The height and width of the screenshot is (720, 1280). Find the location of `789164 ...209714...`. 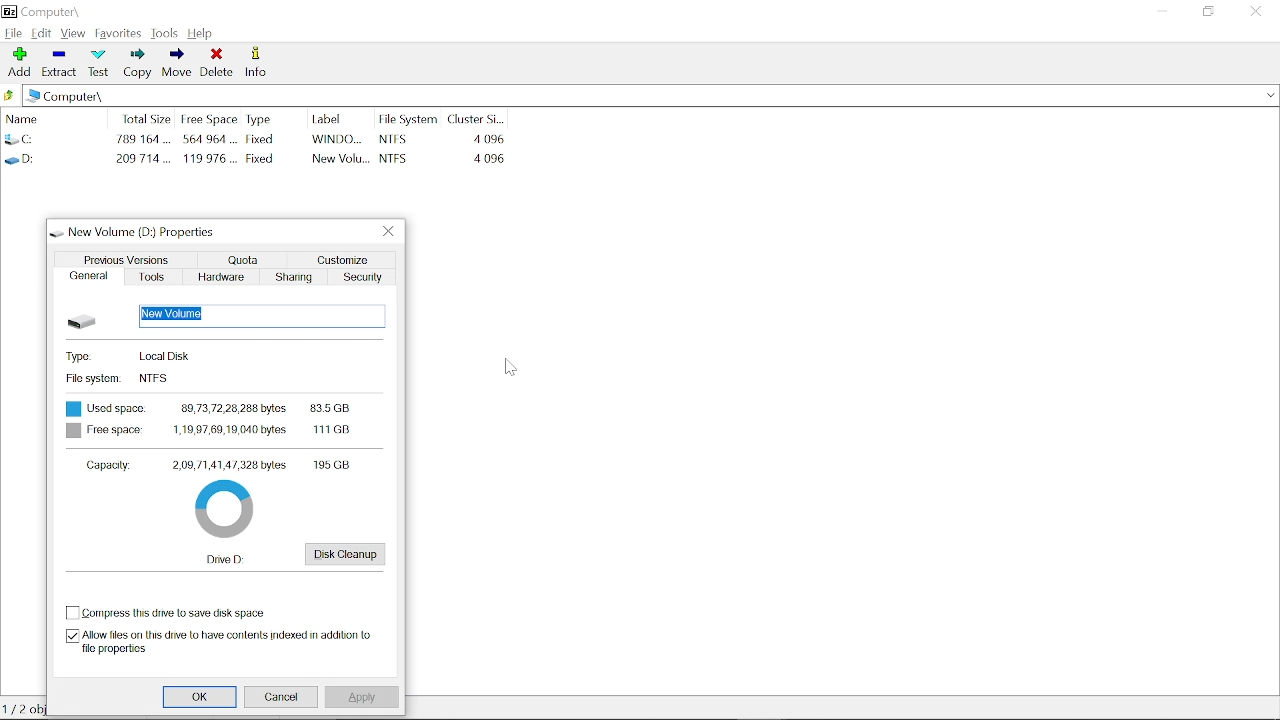

789164 ...209714... is located at coordinates (144, 150).